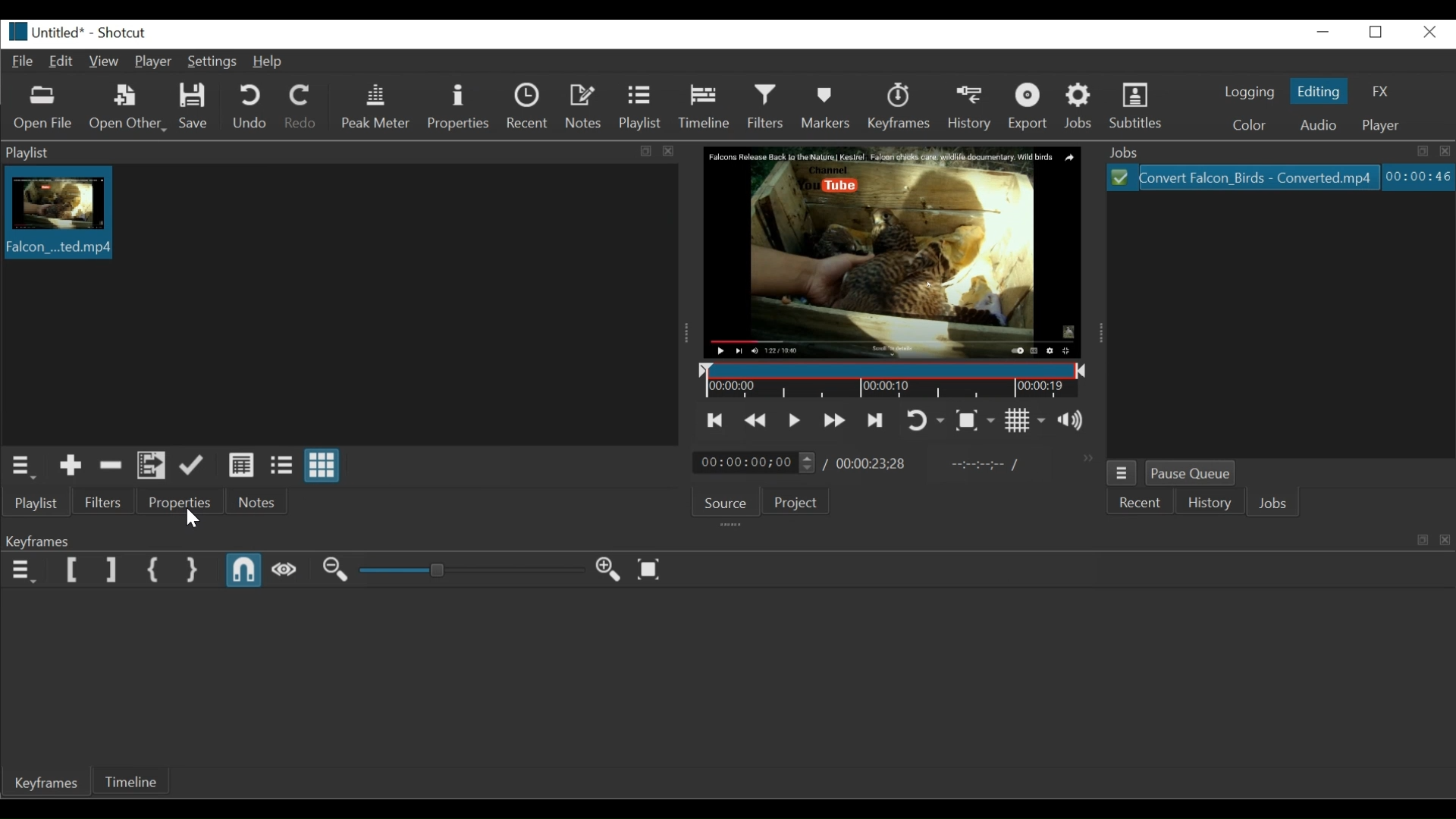  I want to click on Settings, so click(212, 61).